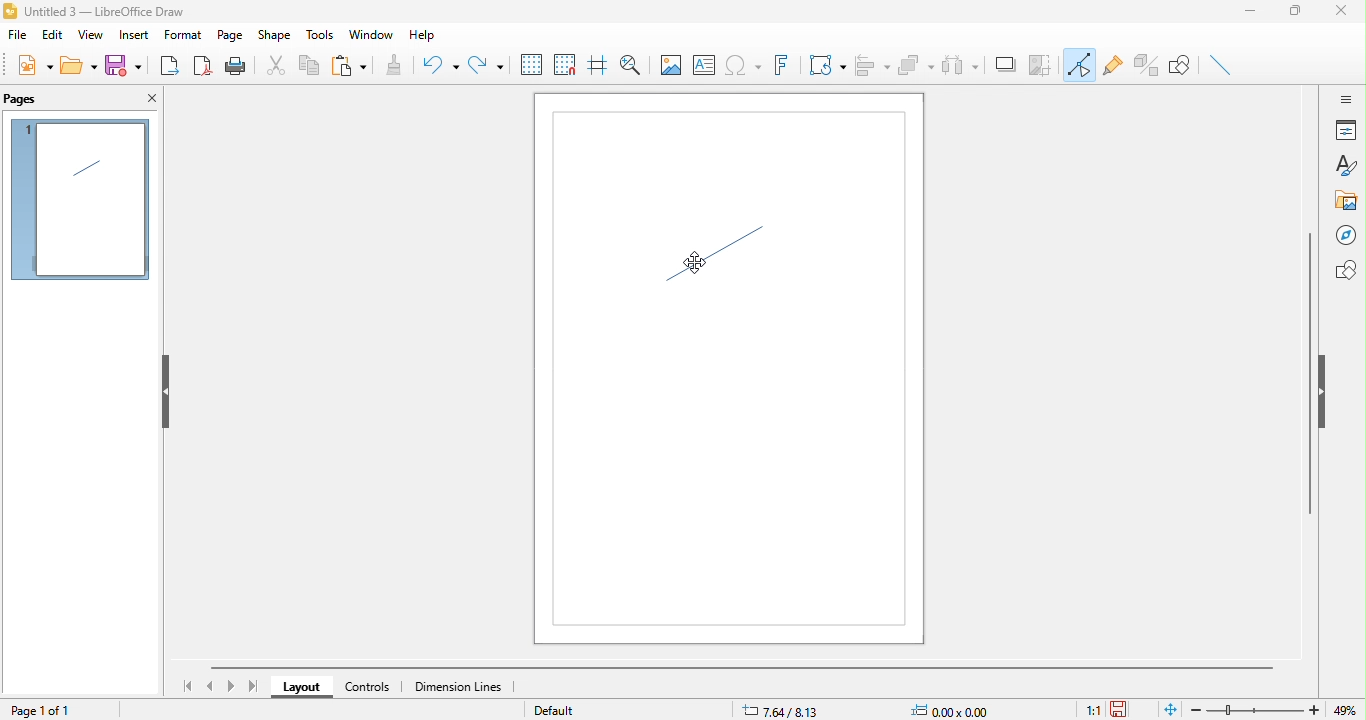 Image resolution: width=1366 pixels, height=720 pixels. Describe the element at coordinates (149, 100) in the screenshot. I see `close` at that location.